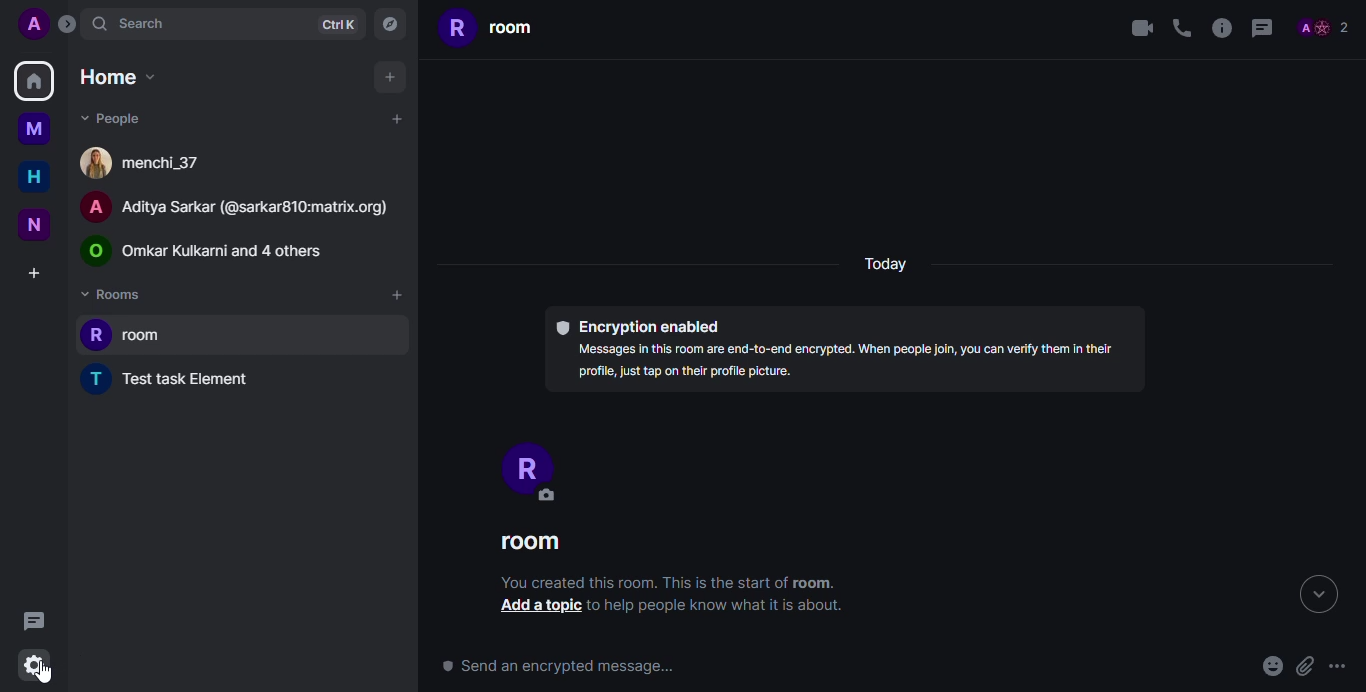 The height and width of the screenshot is (692, 1366). Describe the element at coordinates (389, 76) in the screenshot. I see `add` at that location.